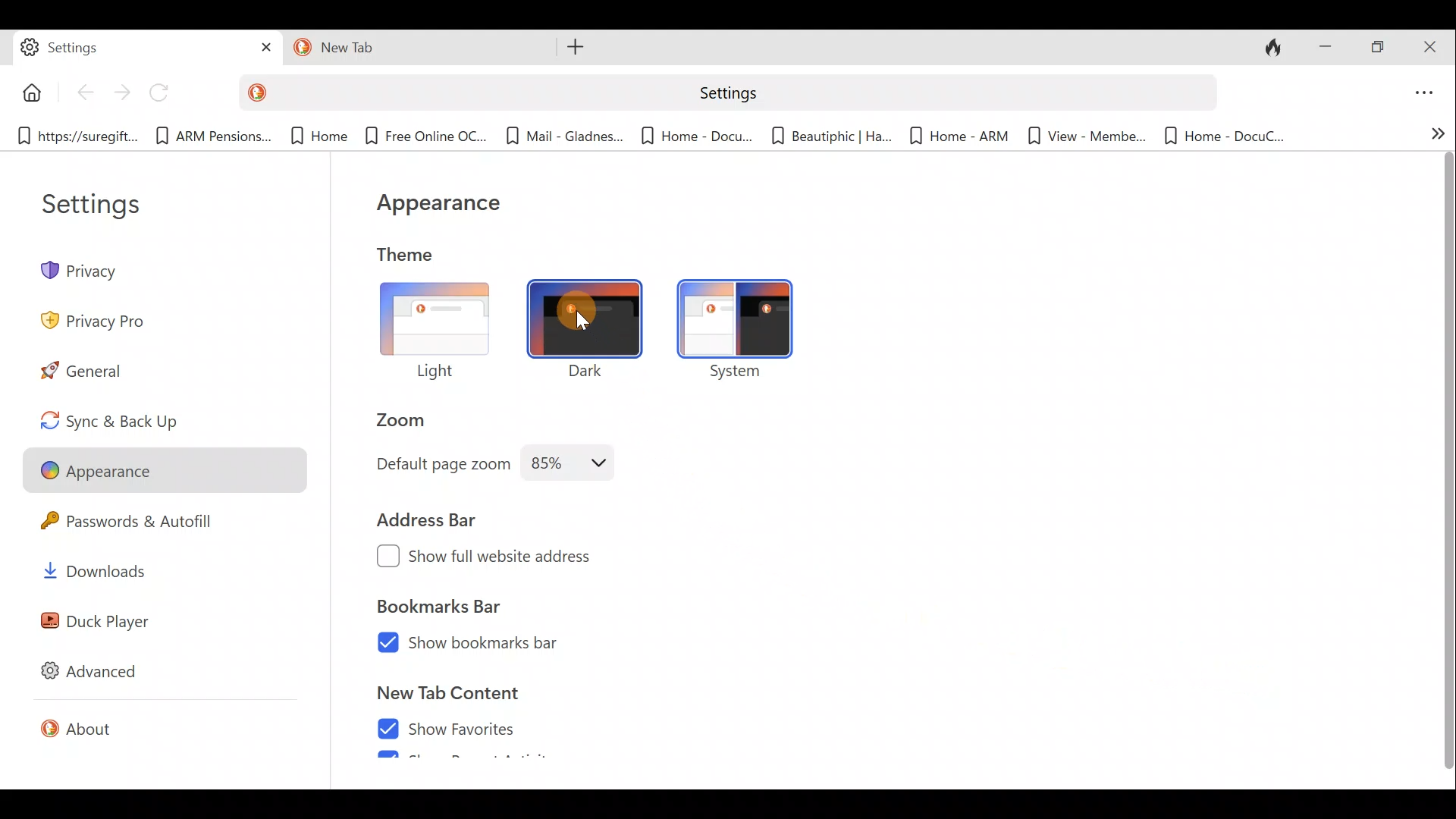 The width and height of the screenshot is (1456, 819). Describe the element at coordinates (1432, 133) in the screenshot. I see `Show more bookmarks` at that location.